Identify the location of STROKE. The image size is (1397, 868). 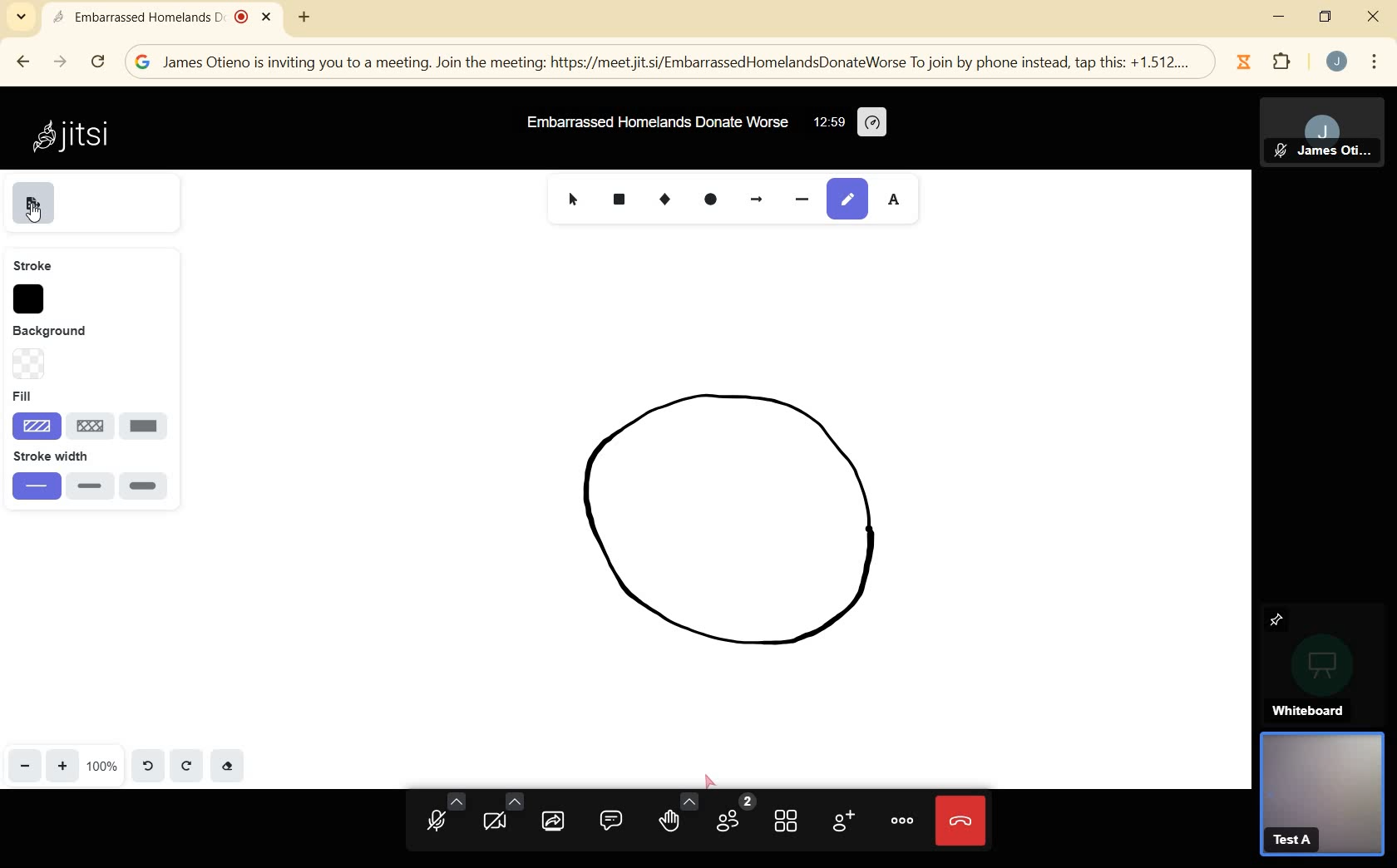
(32, 266).